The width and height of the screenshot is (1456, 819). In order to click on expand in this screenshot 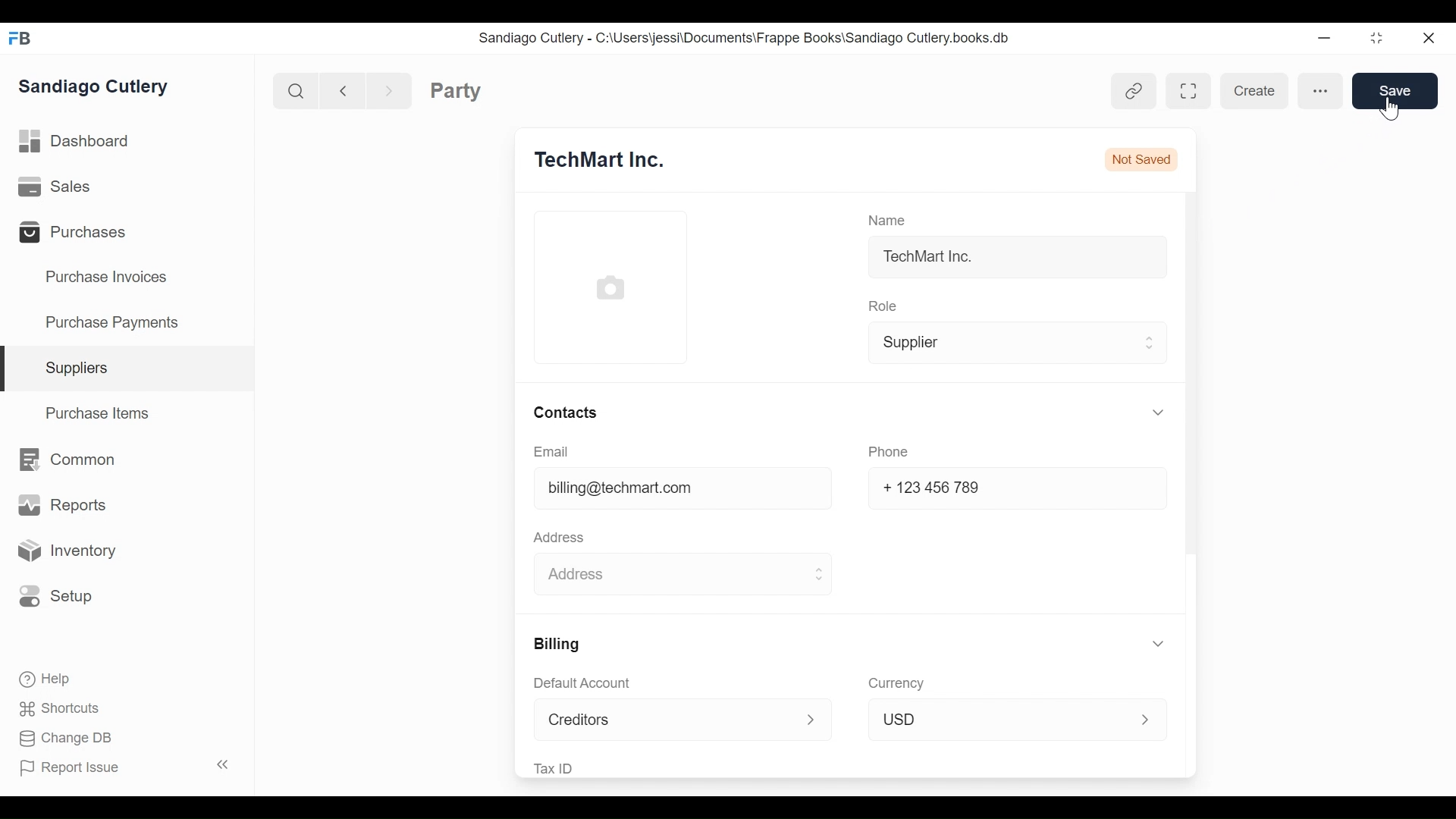, I will do `click(224, 762)`.